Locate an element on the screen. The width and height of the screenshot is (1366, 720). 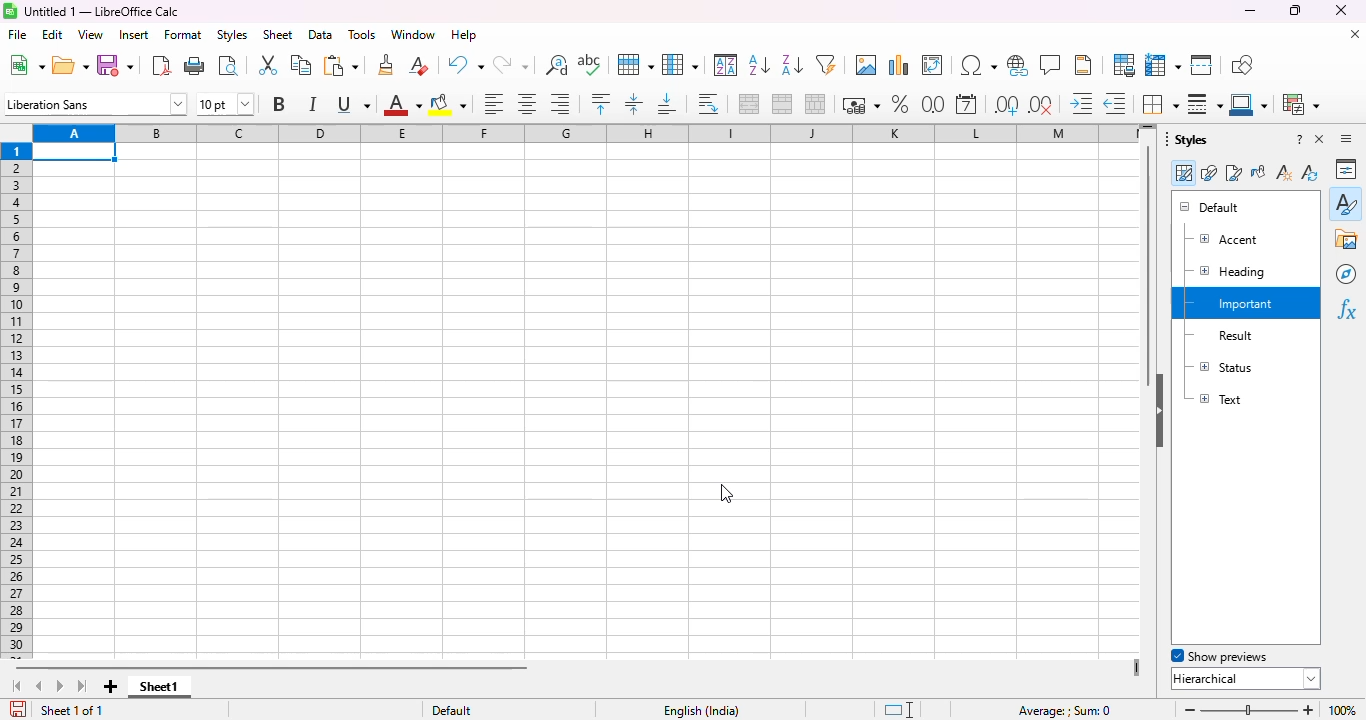
italic is located at coordinates (311, 104).